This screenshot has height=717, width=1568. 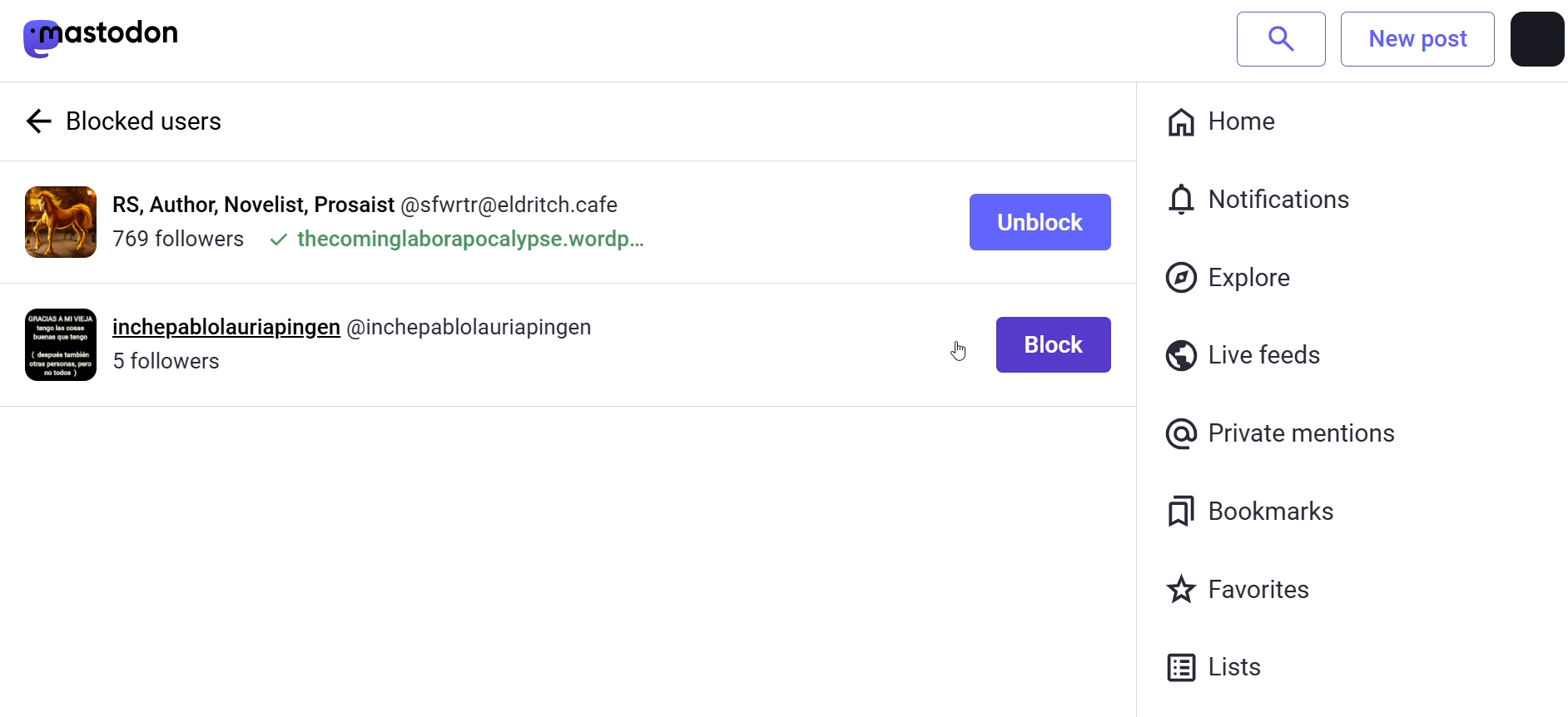 What do you see at coordinates (1229, 125) in the screenshot?
I see `home ` at bounding box center [1229, 125].